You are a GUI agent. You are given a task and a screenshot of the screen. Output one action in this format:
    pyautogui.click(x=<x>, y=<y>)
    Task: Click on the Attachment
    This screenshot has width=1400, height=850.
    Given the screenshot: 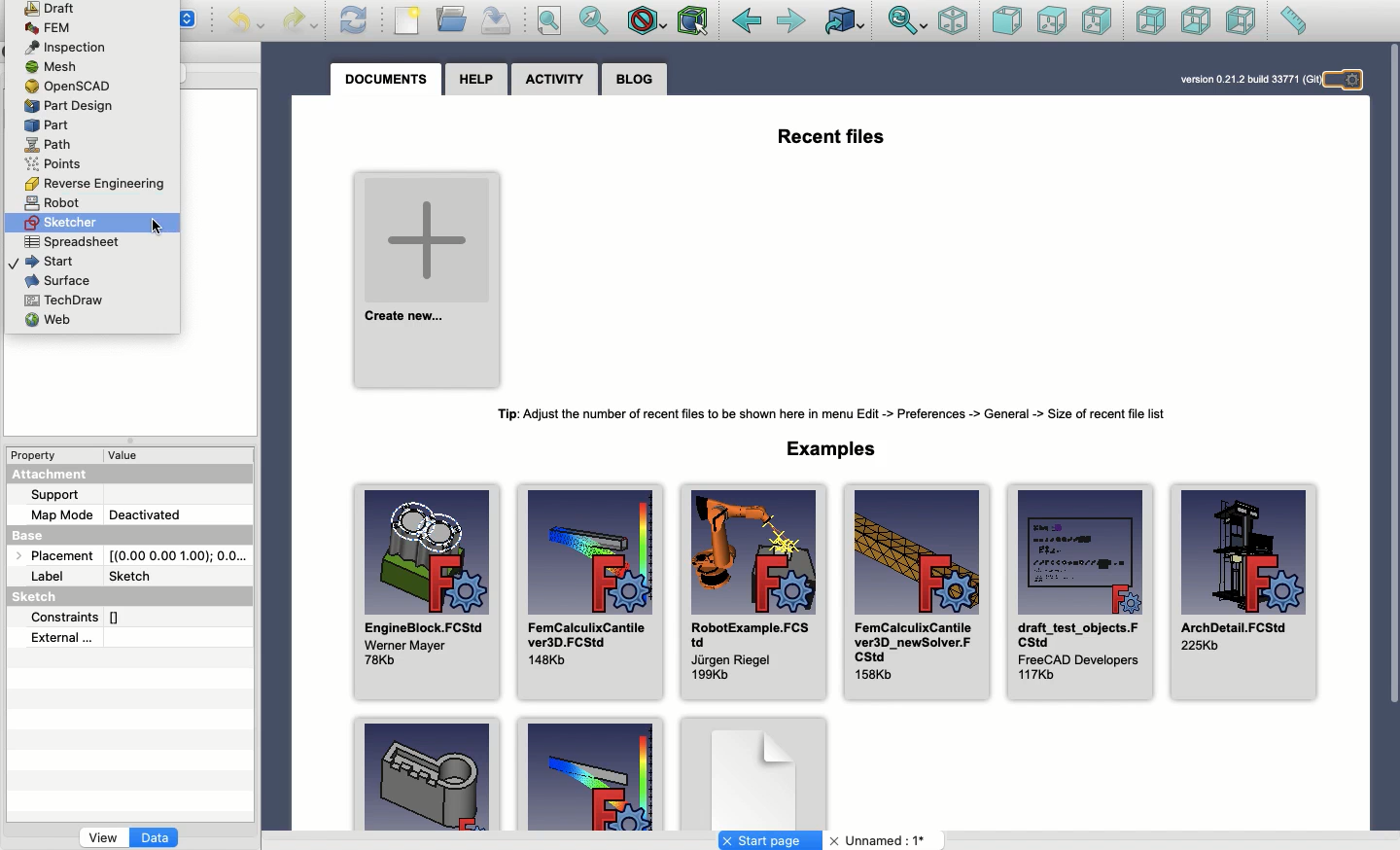 What is the action you would take?
    pyautogui.click(x=46, y=477)
    